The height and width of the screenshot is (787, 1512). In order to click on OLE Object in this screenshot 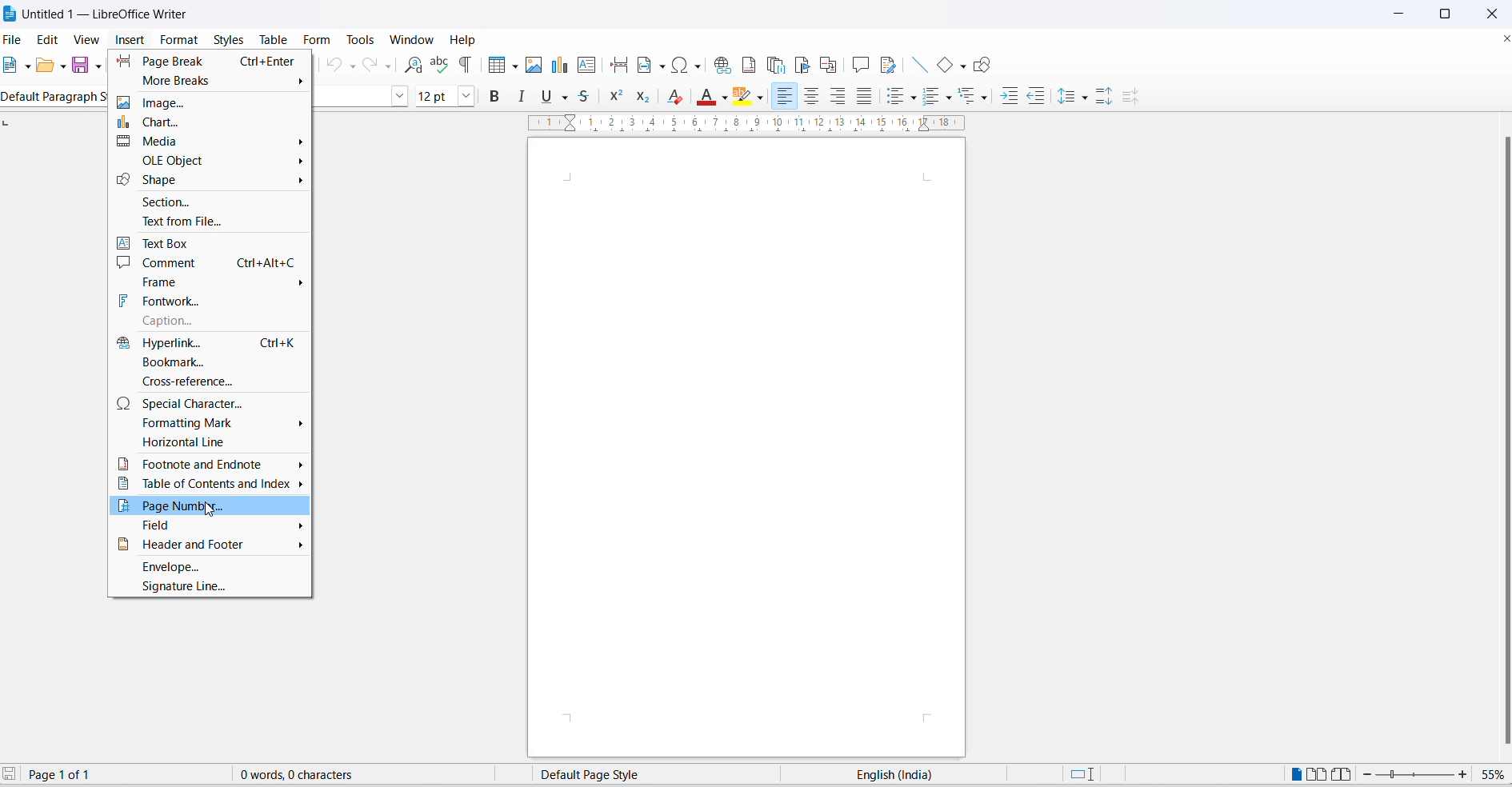, I will do `click(209, 160)`.